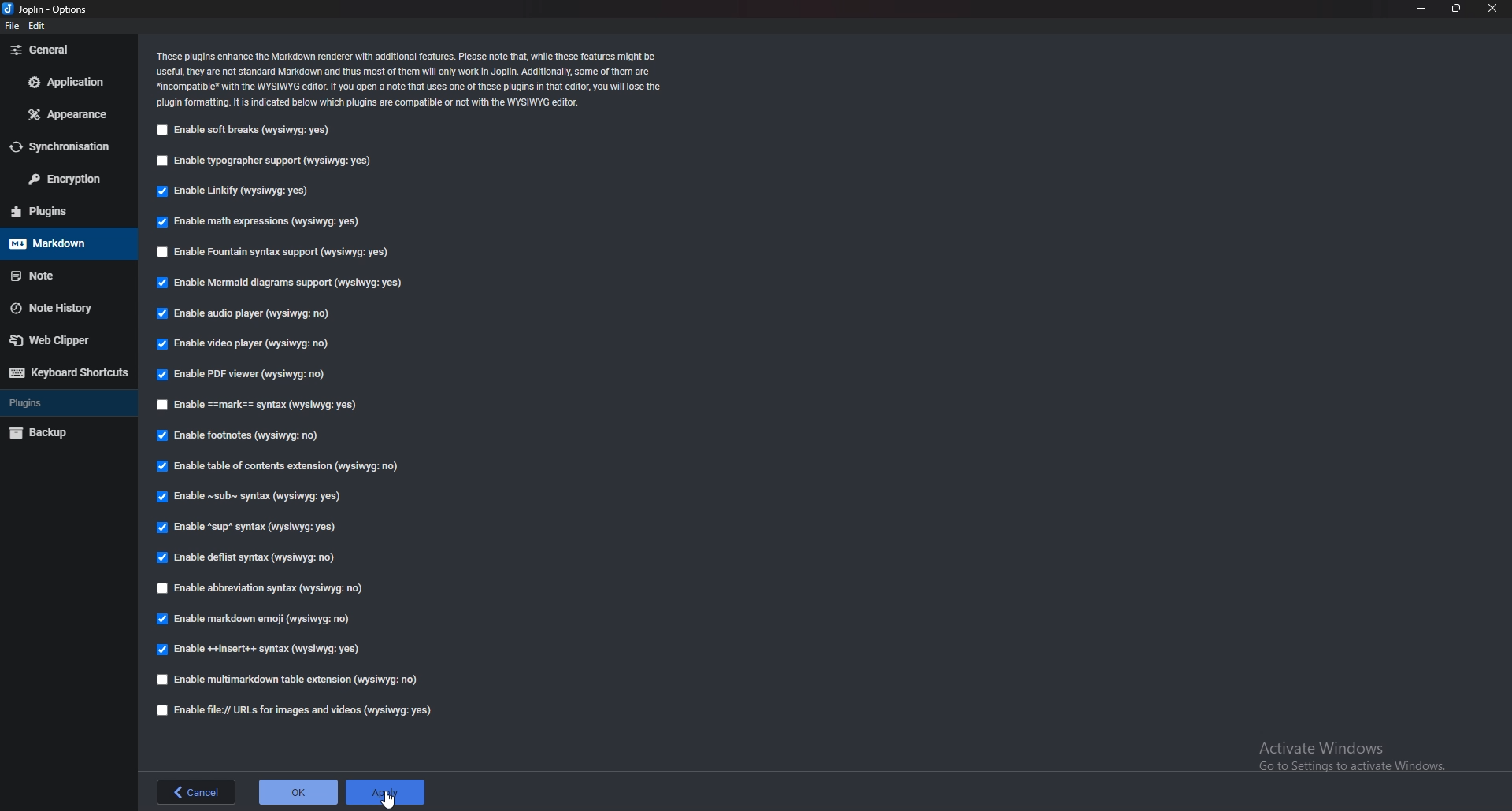 The width and height of the screenshot is (1512, 811). What do you see at coordinates (1492, 8) in the screenshot?
I see `close` at bounding box center [1492, 8].